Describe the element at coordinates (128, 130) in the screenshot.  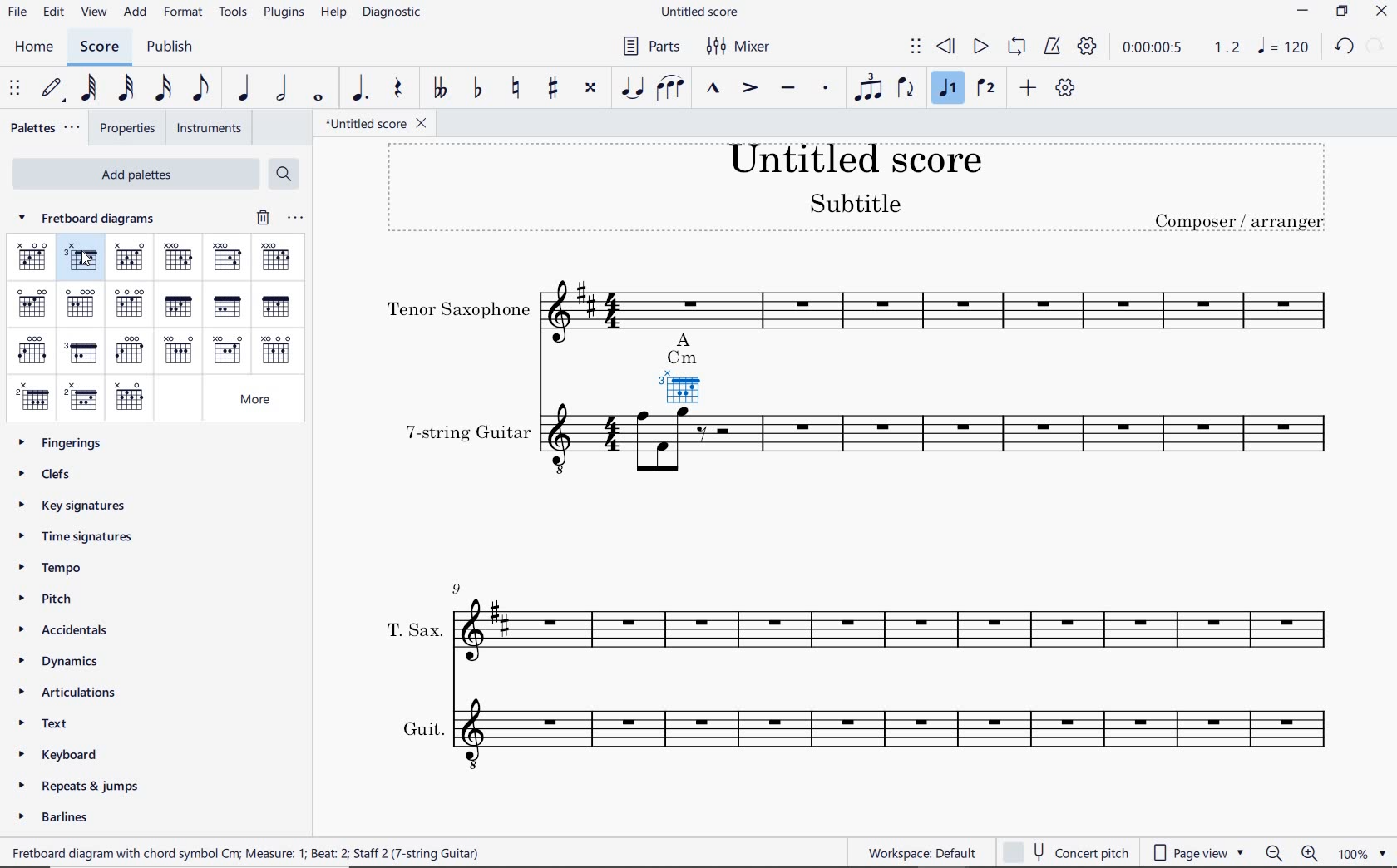
I see `PROPERTIES` at that location.